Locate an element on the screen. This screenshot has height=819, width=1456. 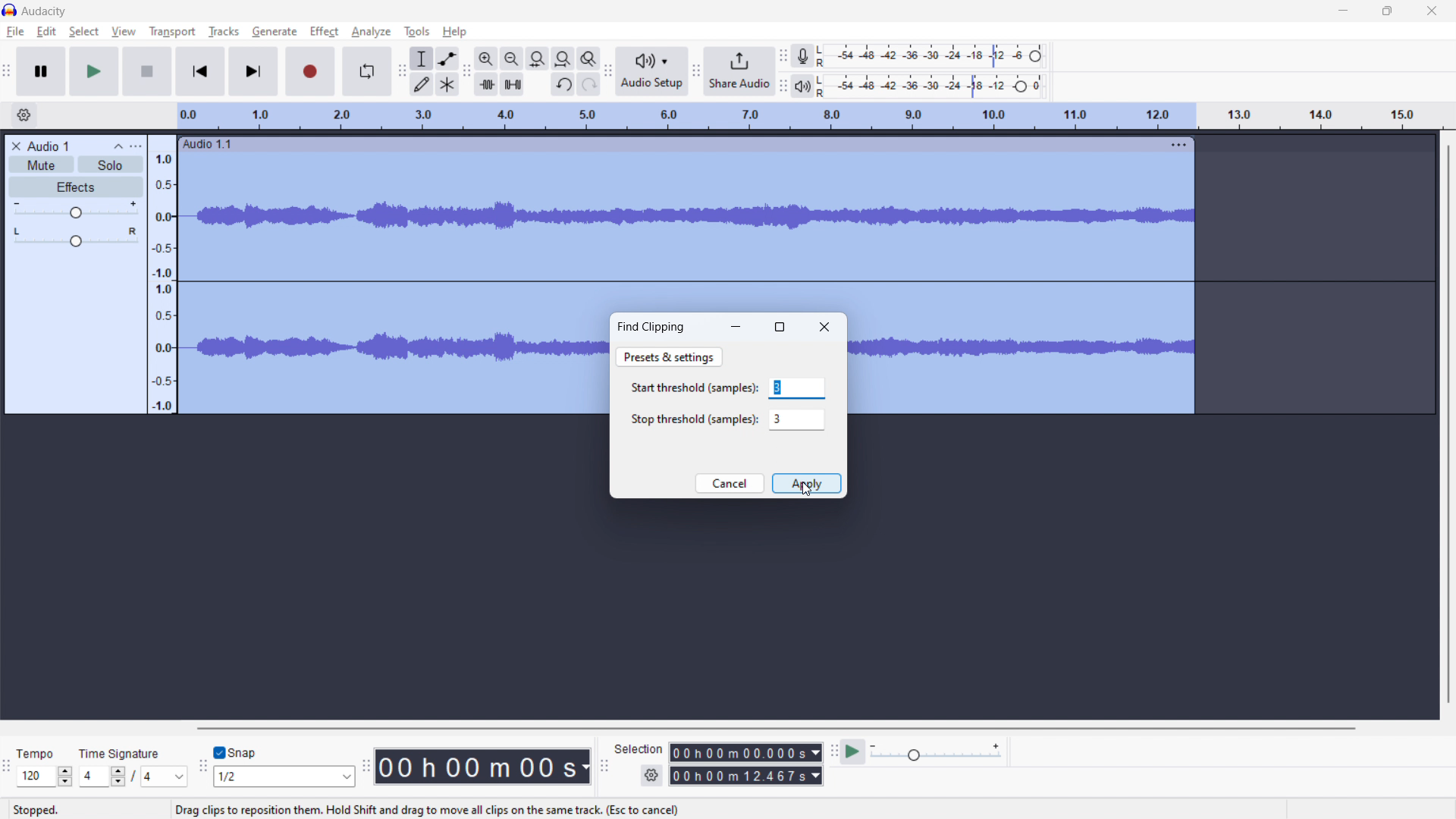
start threshold is located at coordinates (796, 388).